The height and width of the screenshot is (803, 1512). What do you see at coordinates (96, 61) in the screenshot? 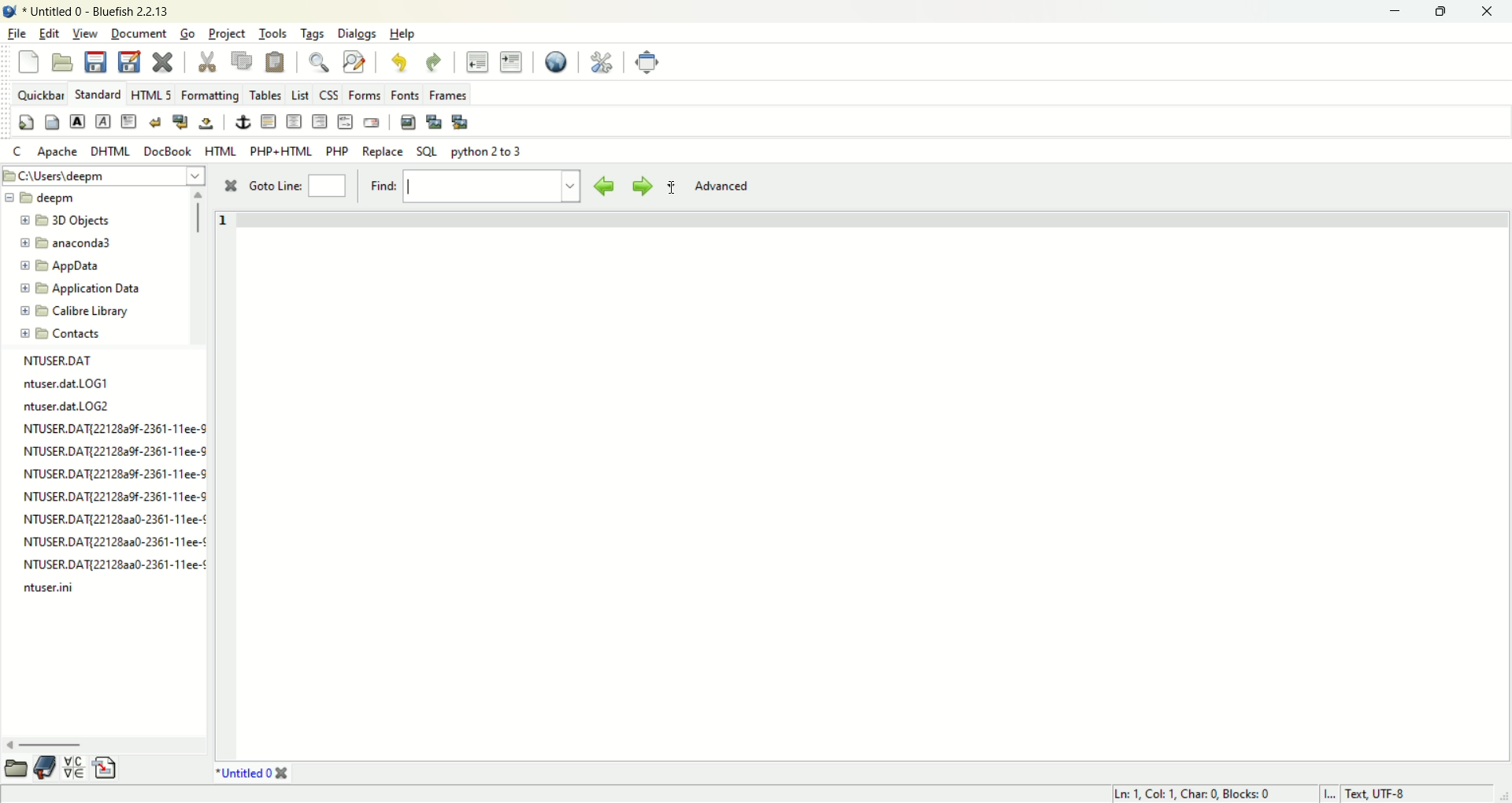
I see `save current file` at bounding box center [96, 61].